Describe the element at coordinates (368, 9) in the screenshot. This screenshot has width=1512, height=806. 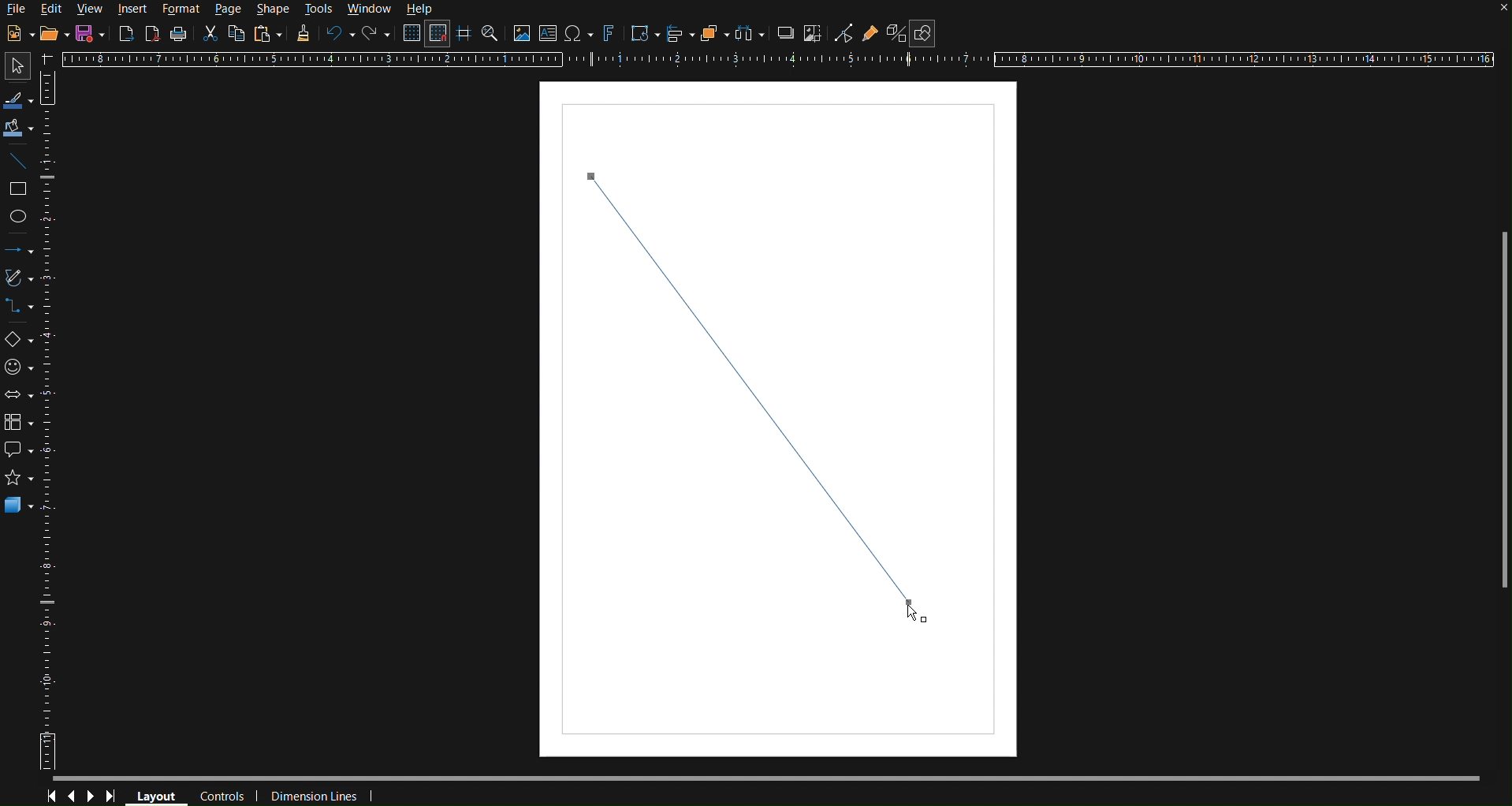
I see `Window` at that location.